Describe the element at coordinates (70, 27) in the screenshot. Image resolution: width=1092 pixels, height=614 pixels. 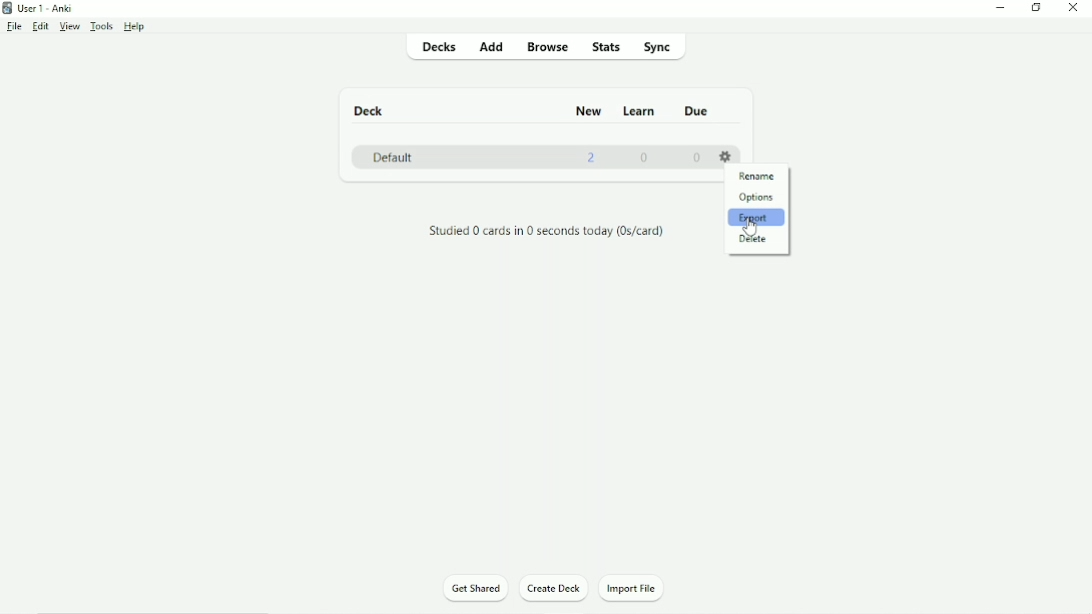
I see `View` at that location.